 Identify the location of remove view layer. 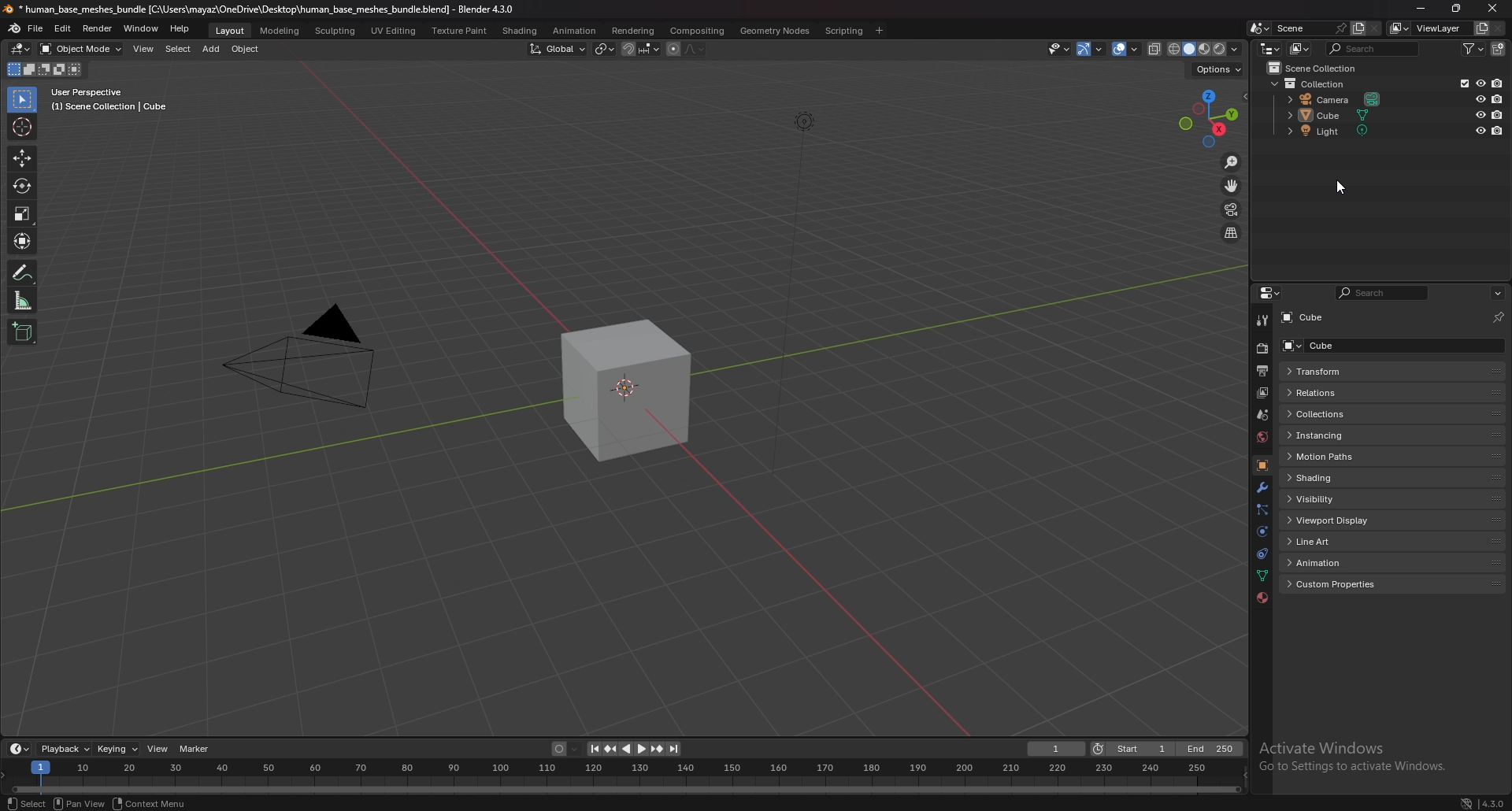
(1499, 28).